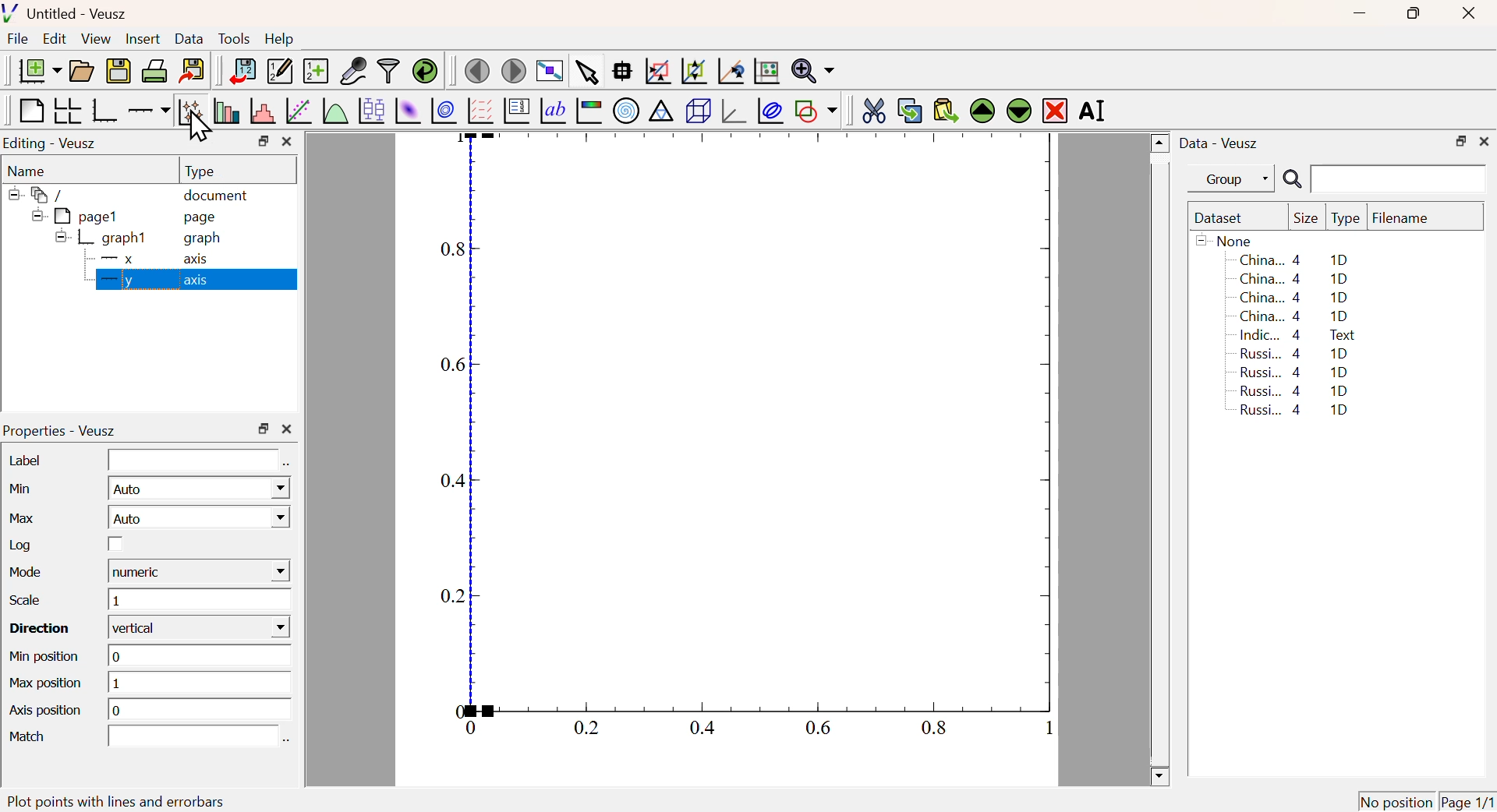 This screenshot has height=812, width=1497. Describe the element at coordinates (1396, 800) in the screenshot. I see `No position` at that location.